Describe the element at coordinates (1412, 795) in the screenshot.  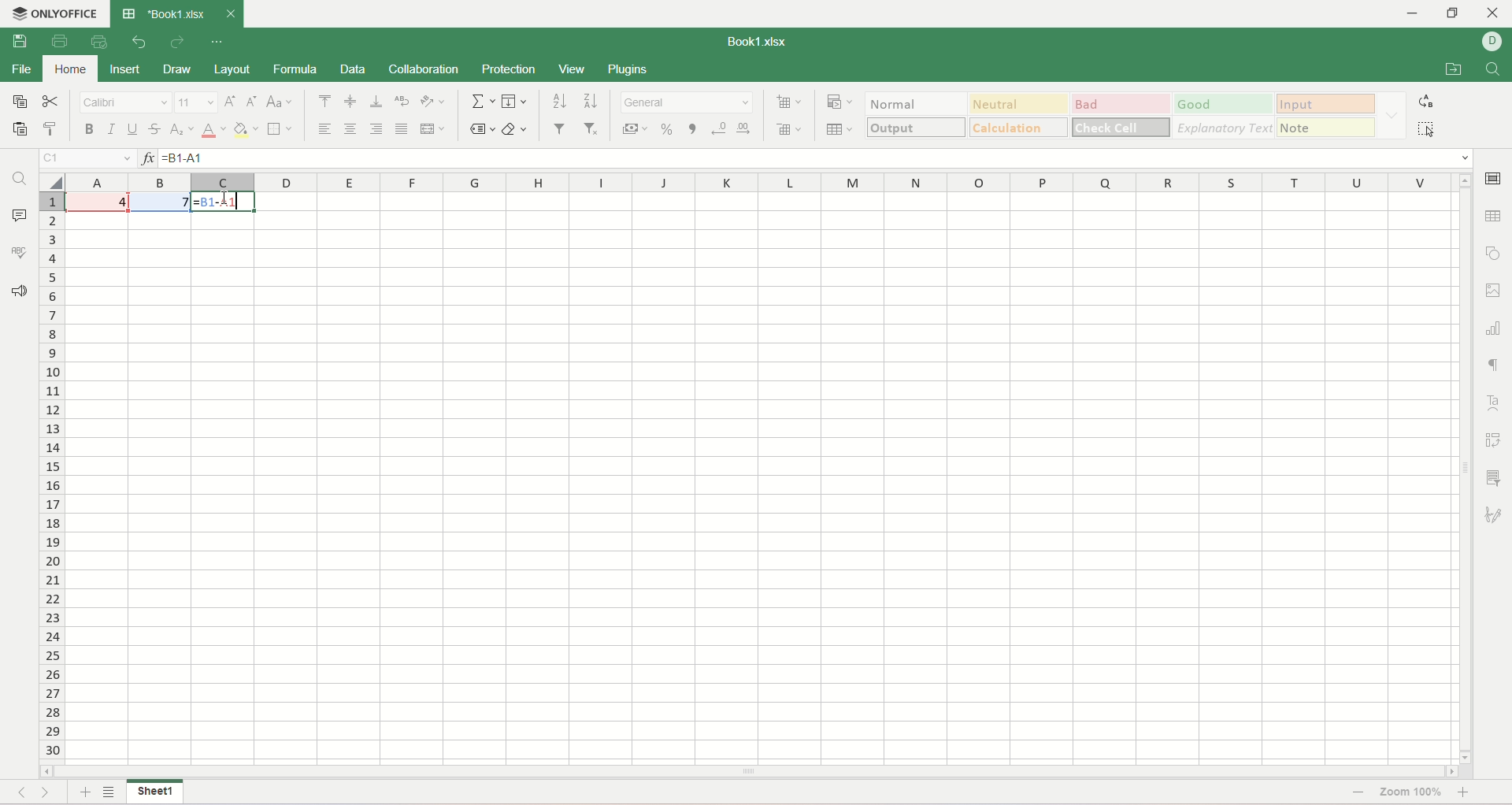
I see `zoom percent` at that location.